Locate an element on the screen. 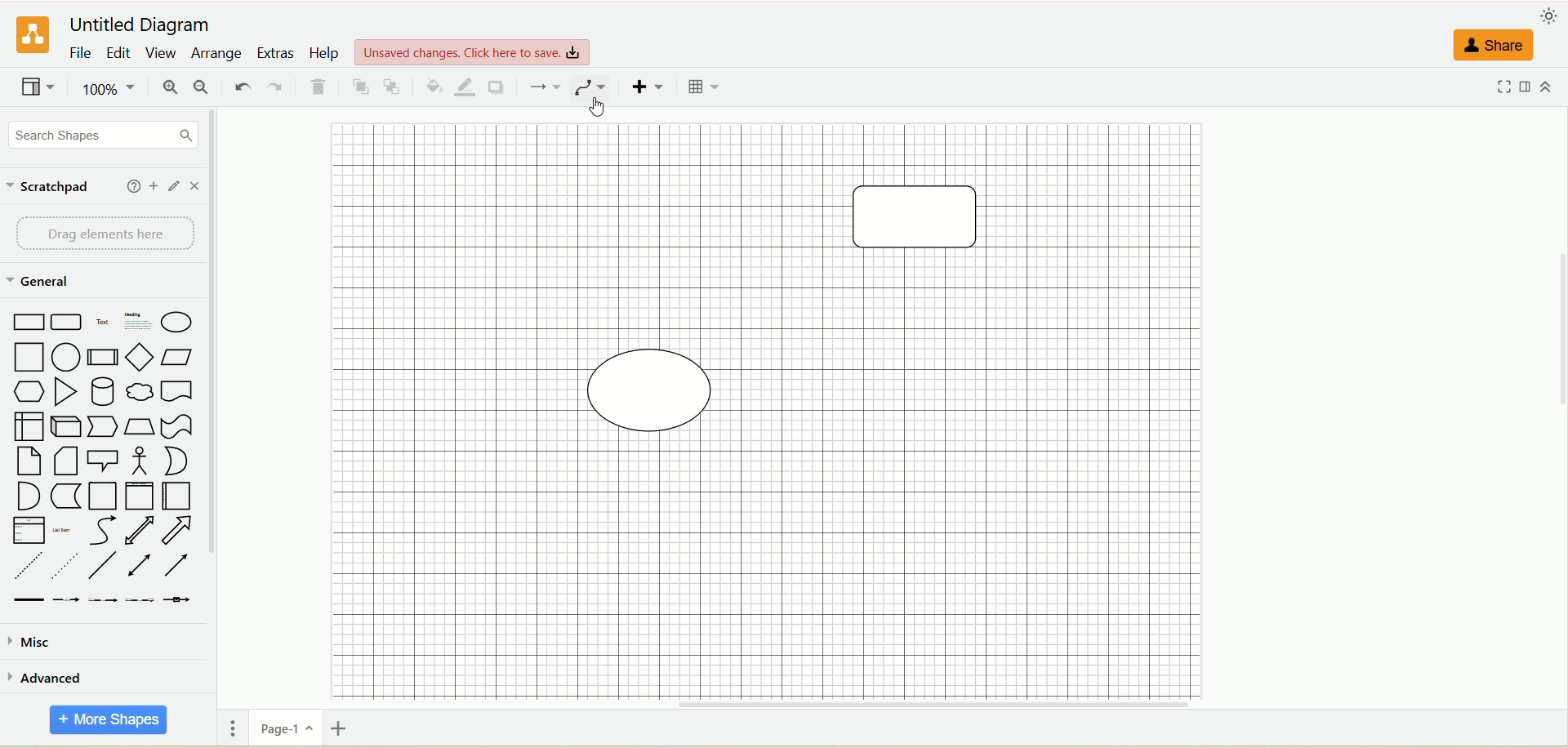 Image resolution: width=1568 pixels, height=748 pixels. drag element here is located at coordinates (104, 235).